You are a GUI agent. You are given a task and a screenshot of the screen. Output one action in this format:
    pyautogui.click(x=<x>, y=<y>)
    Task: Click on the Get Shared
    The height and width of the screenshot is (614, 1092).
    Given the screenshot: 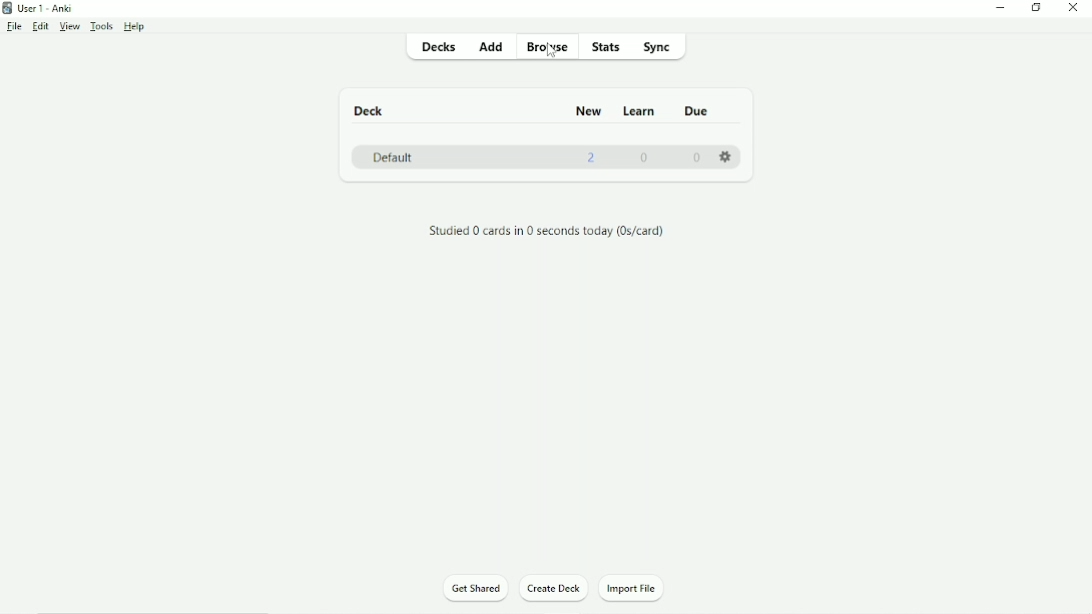 What is the action you would take?
    pyautogui.click(x=474, y=587)
    